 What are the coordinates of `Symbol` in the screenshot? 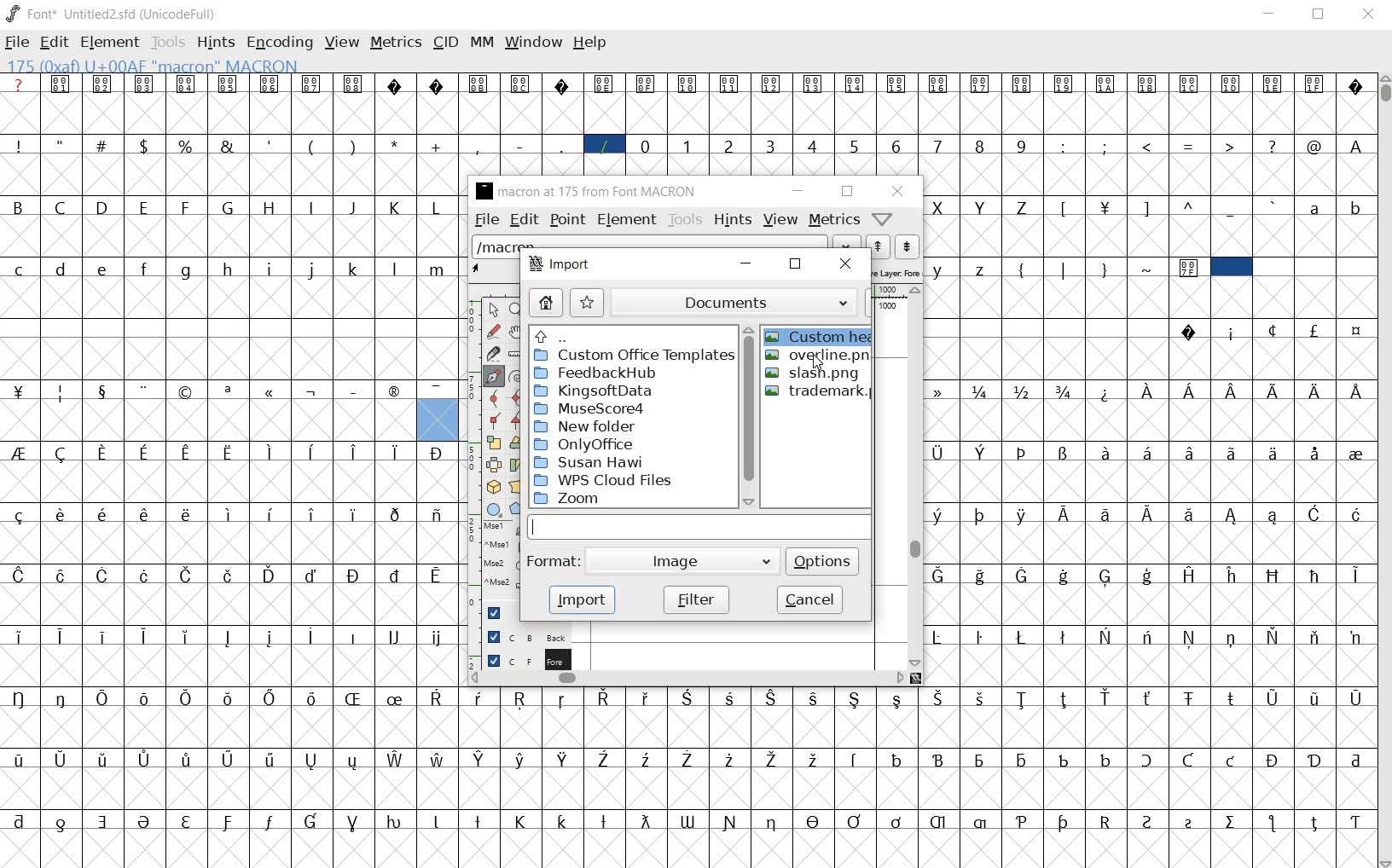 It's located at (188, 452).